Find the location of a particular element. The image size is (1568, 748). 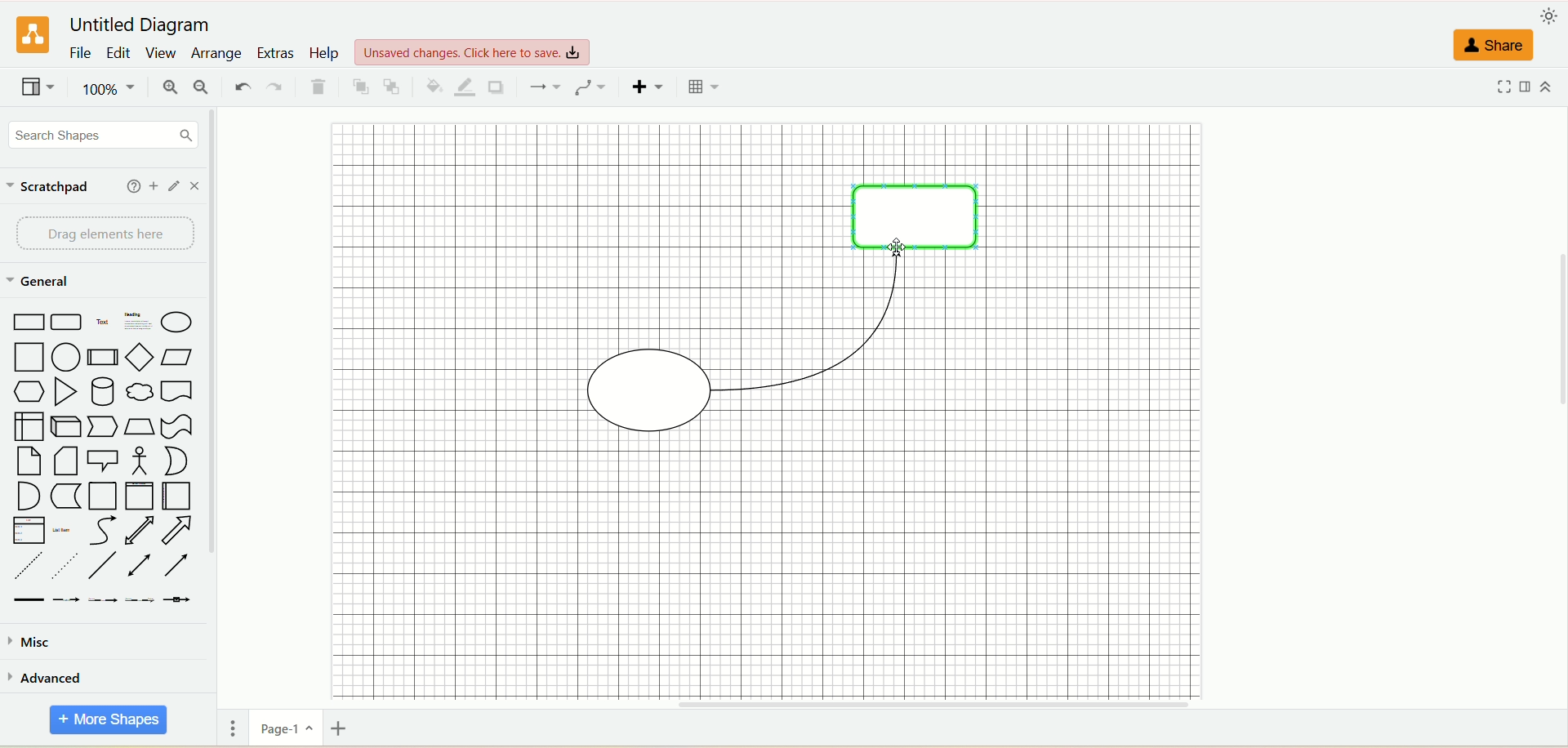

drag element here is located at coordinates (104, 235).